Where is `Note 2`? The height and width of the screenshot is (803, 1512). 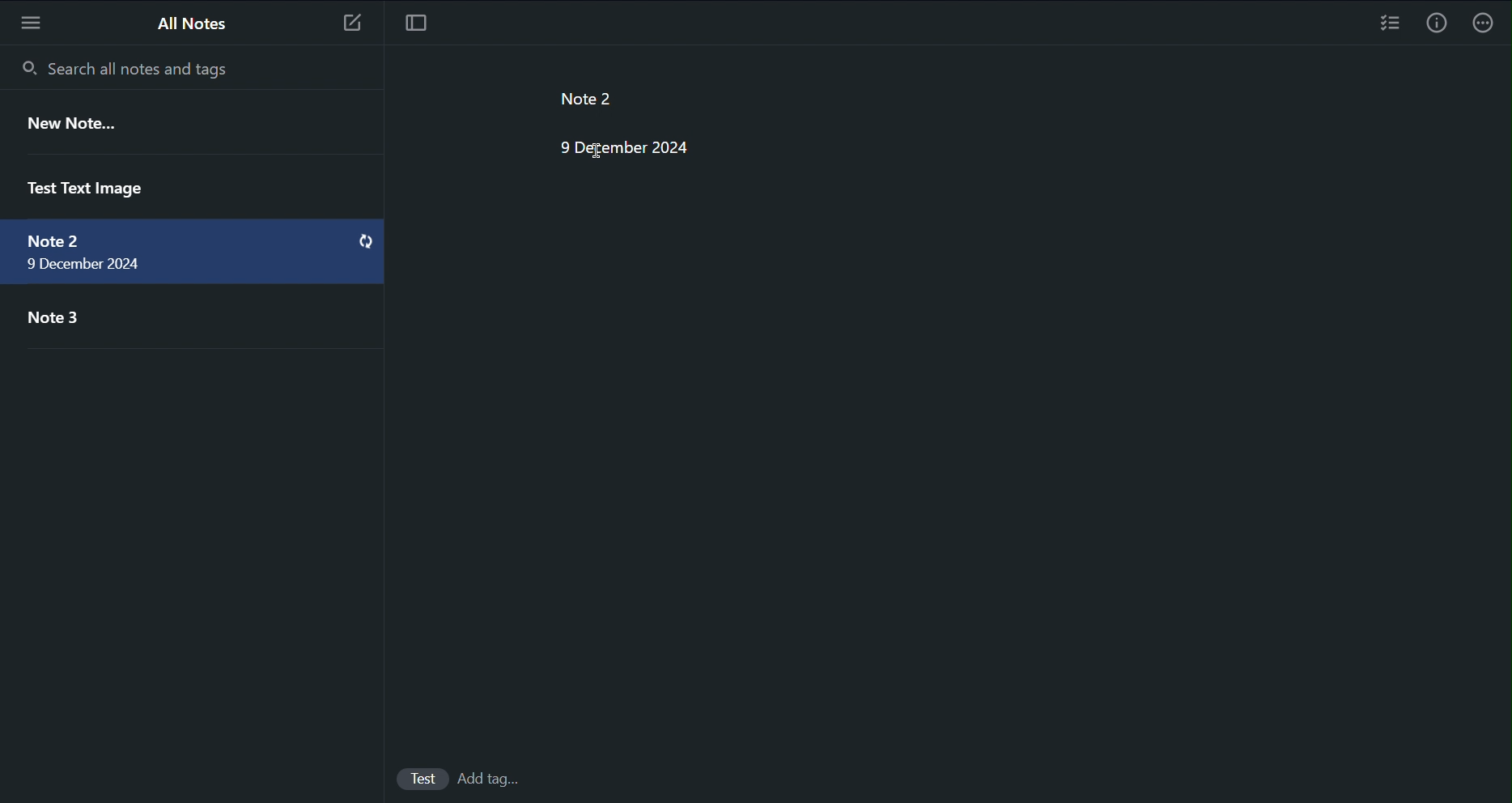
Note 2 is located at coordinates (52, 240).